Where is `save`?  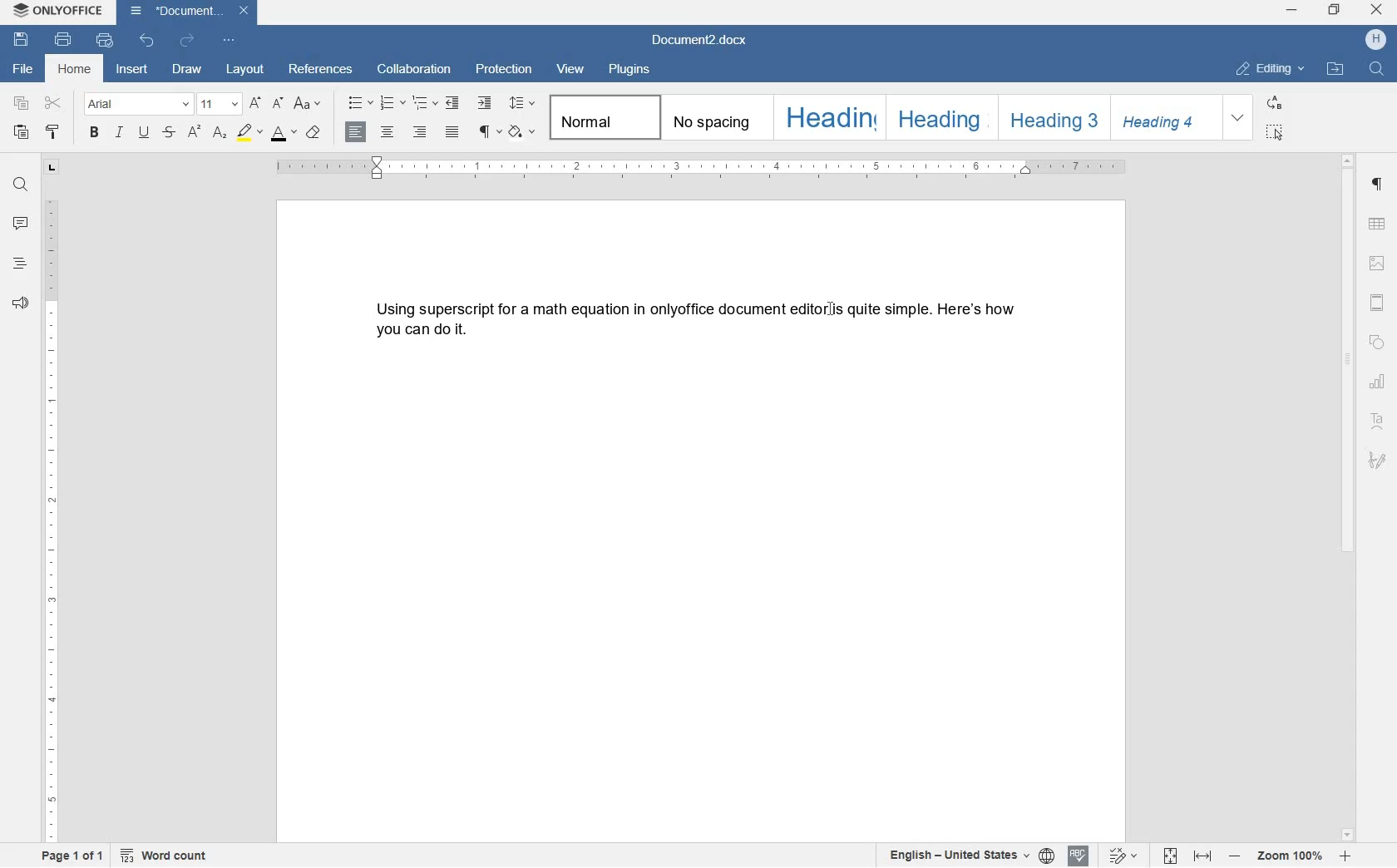 save is located at coordinates (23, 40).